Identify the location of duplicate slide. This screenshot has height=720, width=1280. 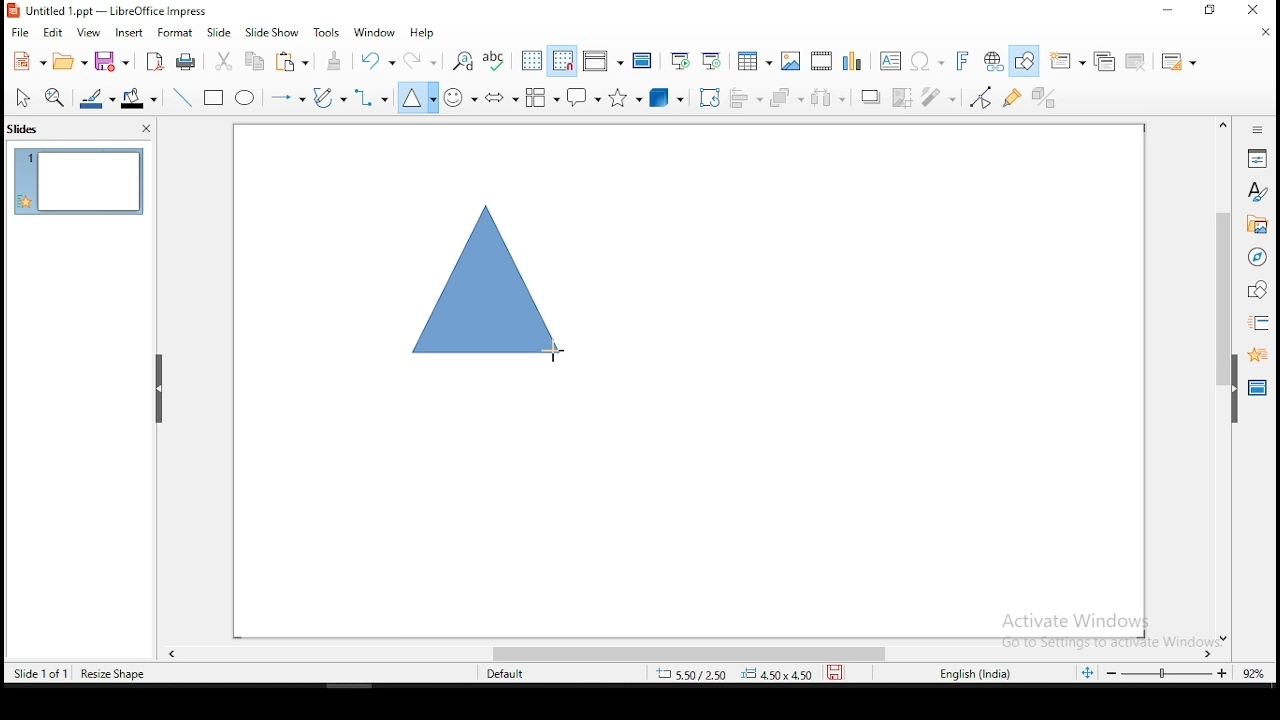
(1104, 58).